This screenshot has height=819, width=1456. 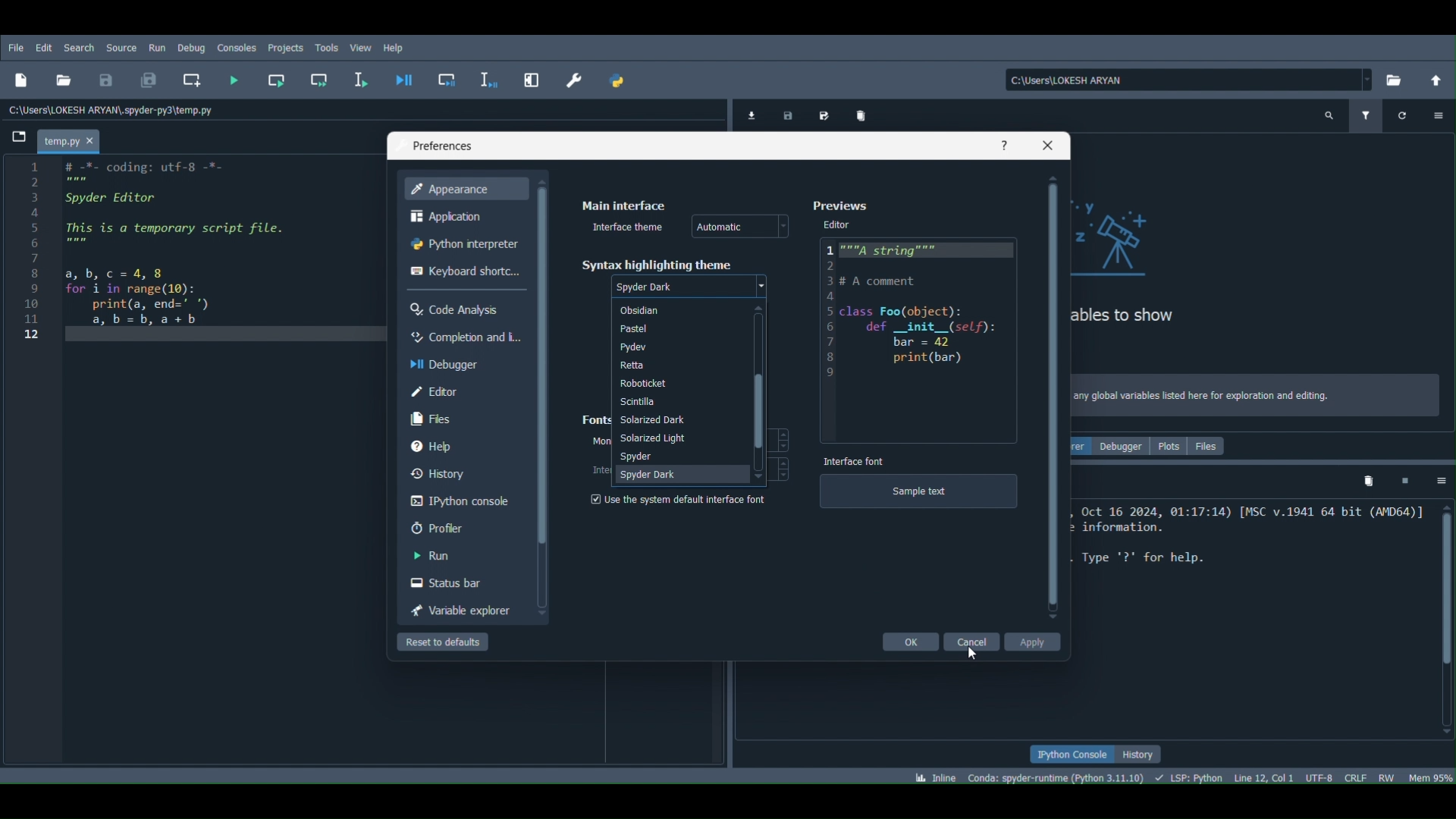 I want to click on Close, so click(x=1046, y=144).